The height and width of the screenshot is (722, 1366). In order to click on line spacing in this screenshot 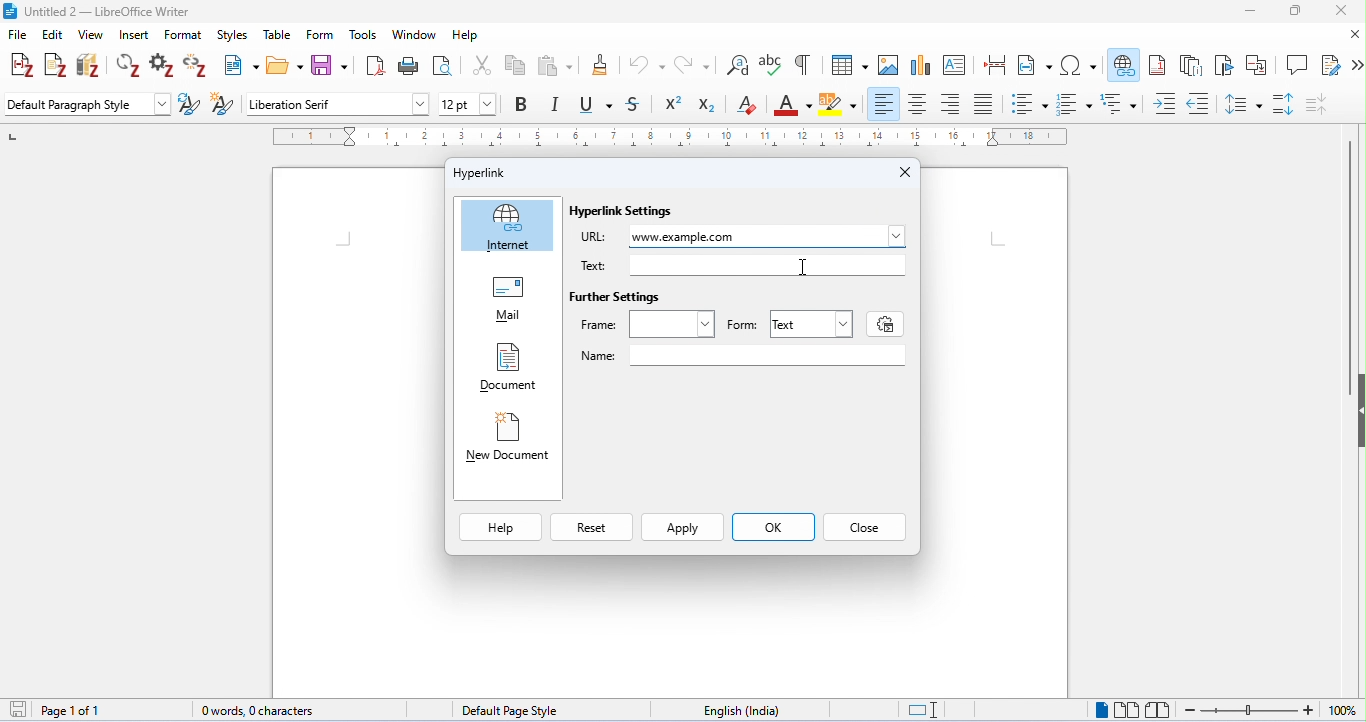, I will do `click(1244, 103)`.